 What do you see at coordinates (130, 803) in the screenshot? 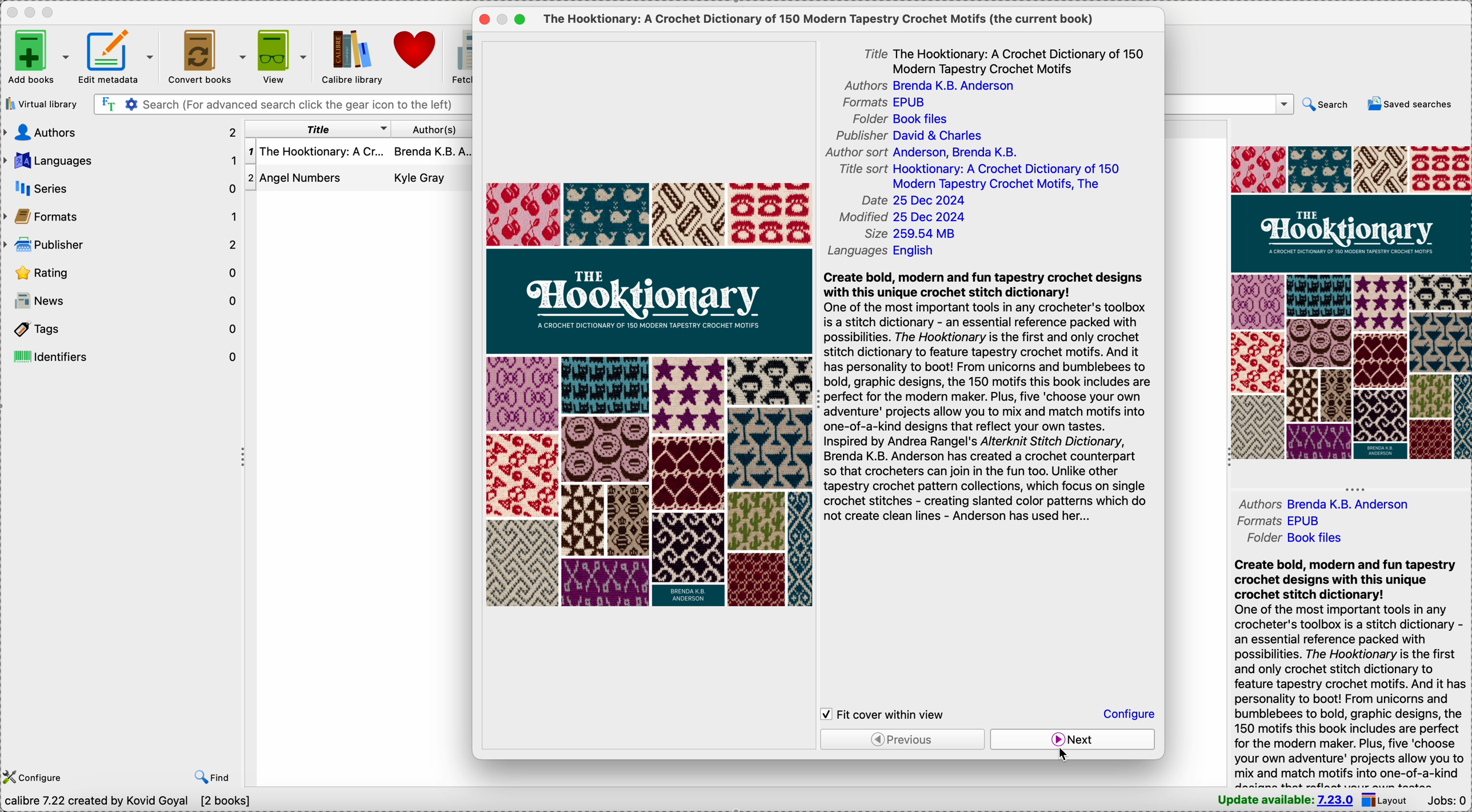
I see `data` at bounding box center [130, 803].